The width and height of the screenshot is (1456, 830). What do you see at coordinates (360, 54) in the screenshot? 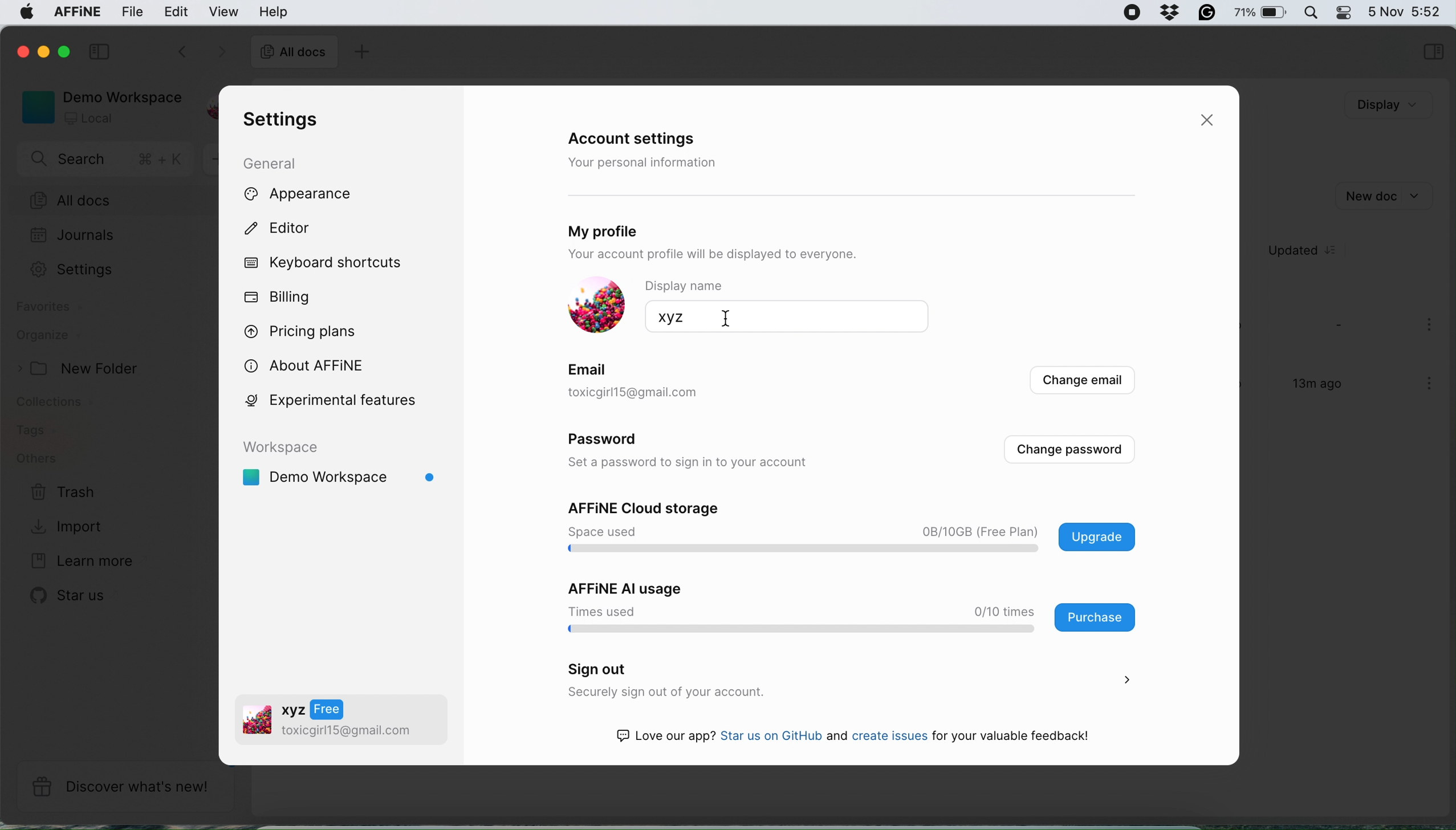
I see `add doc` at bounding box center [360, 54].